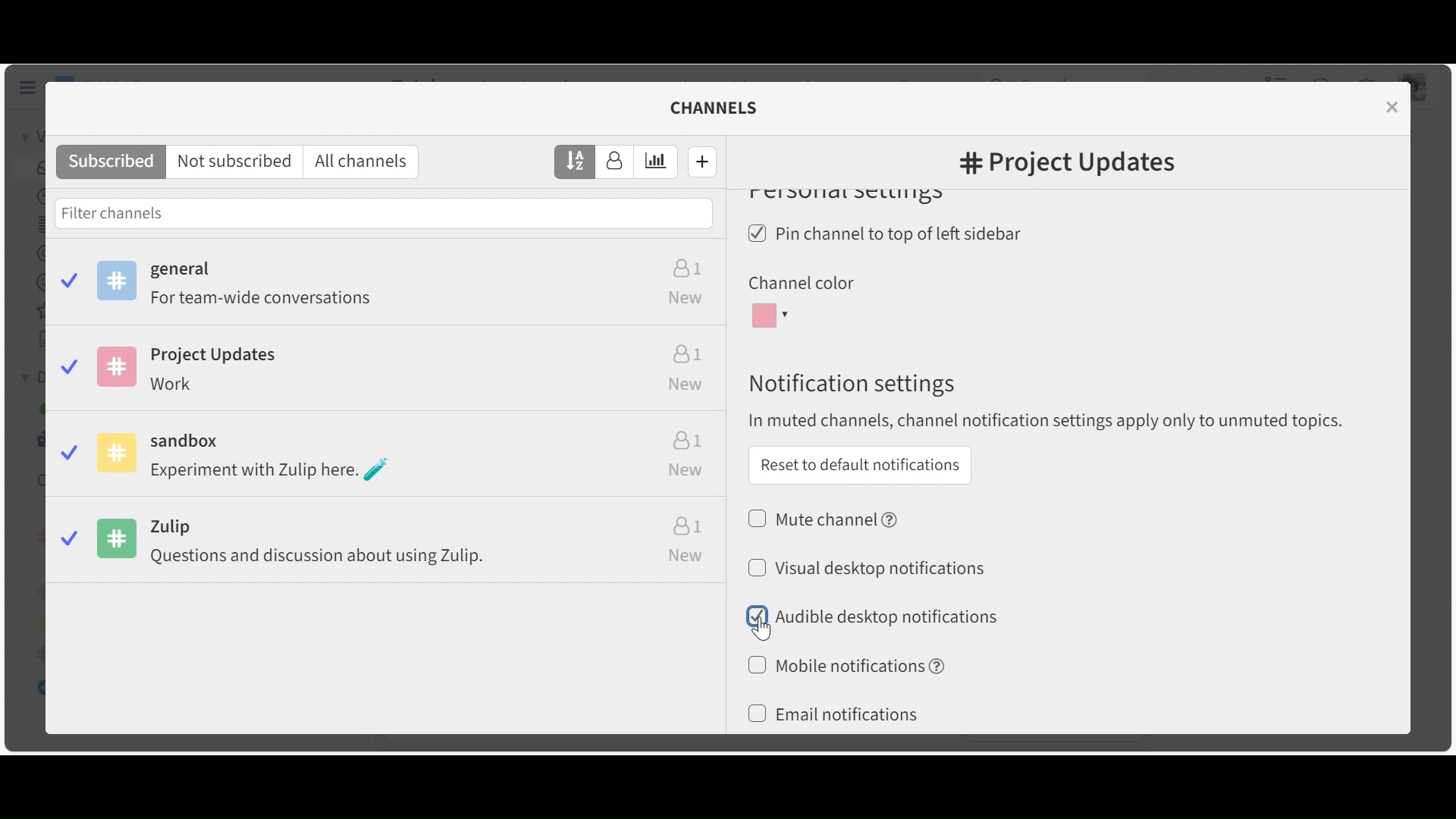 The width and height of the screenshot is (1456, 819). What do you see at coordinates (833, 715) in the screenshot?
I see `(un)select Email notifications` at bounding box center [833, 715].